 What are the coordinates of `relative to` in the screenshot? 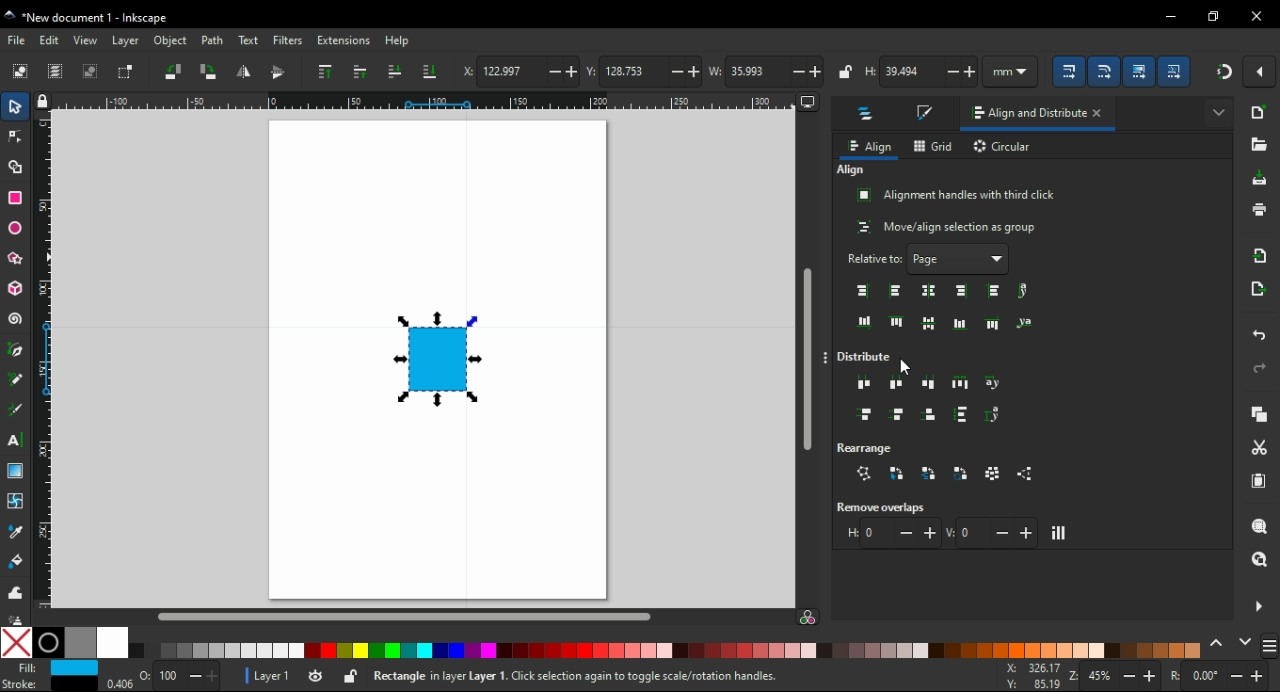 It's located at (929, 259).